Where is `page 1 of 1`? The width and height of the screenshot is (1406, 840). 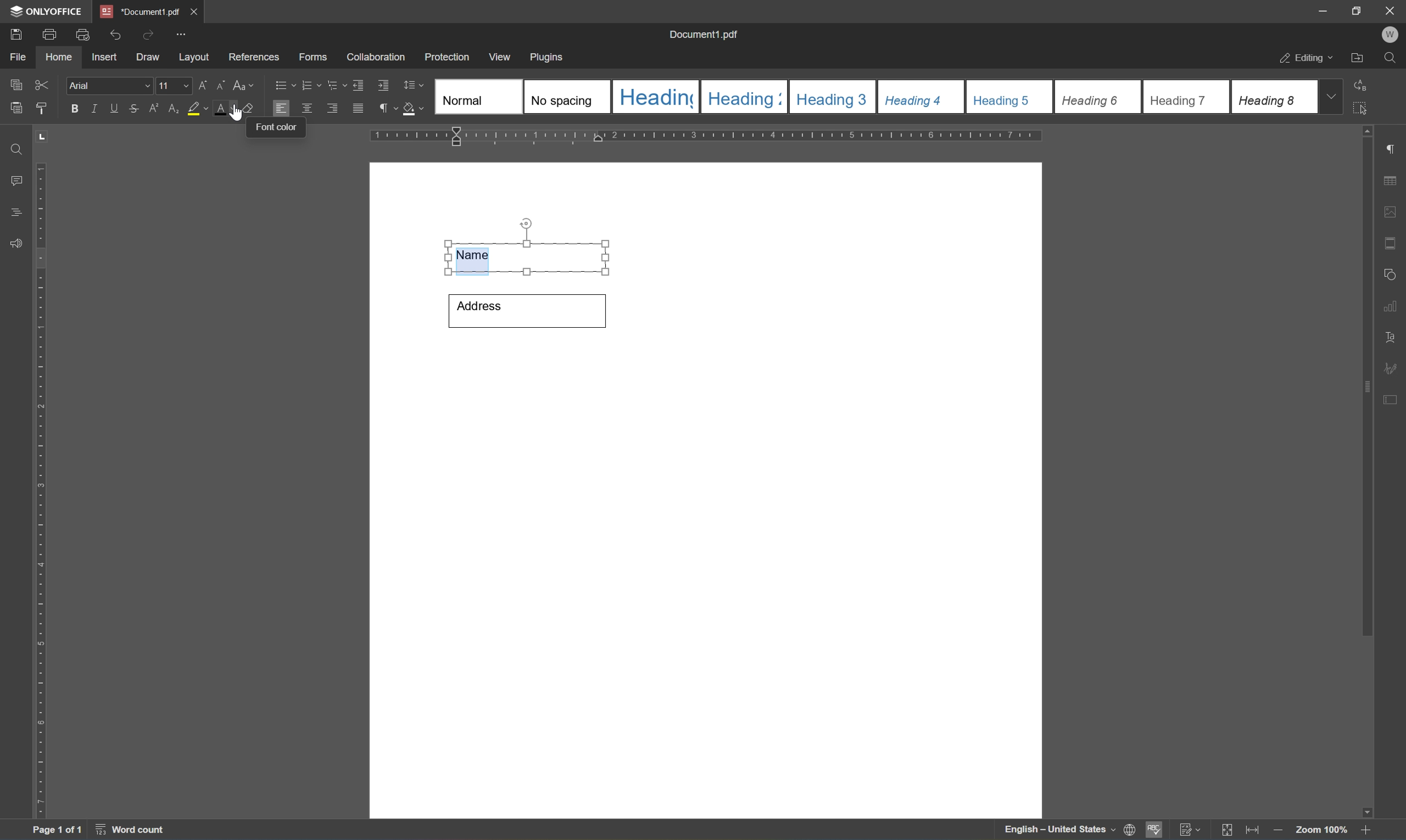
page 1 of 1 is located at coordinates (59, 830).